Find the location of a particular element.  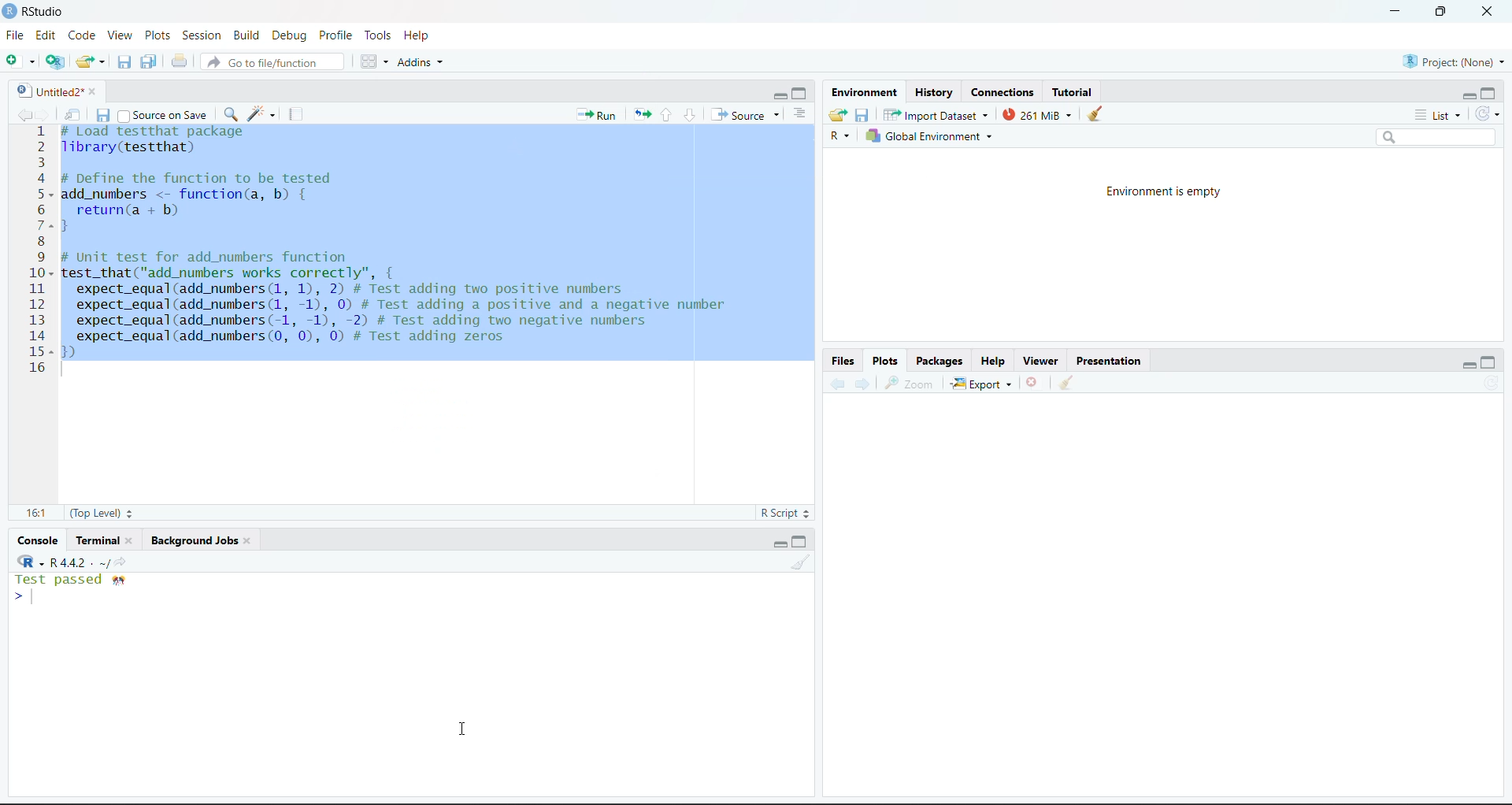

go forward is located at coordinates (46, 114).